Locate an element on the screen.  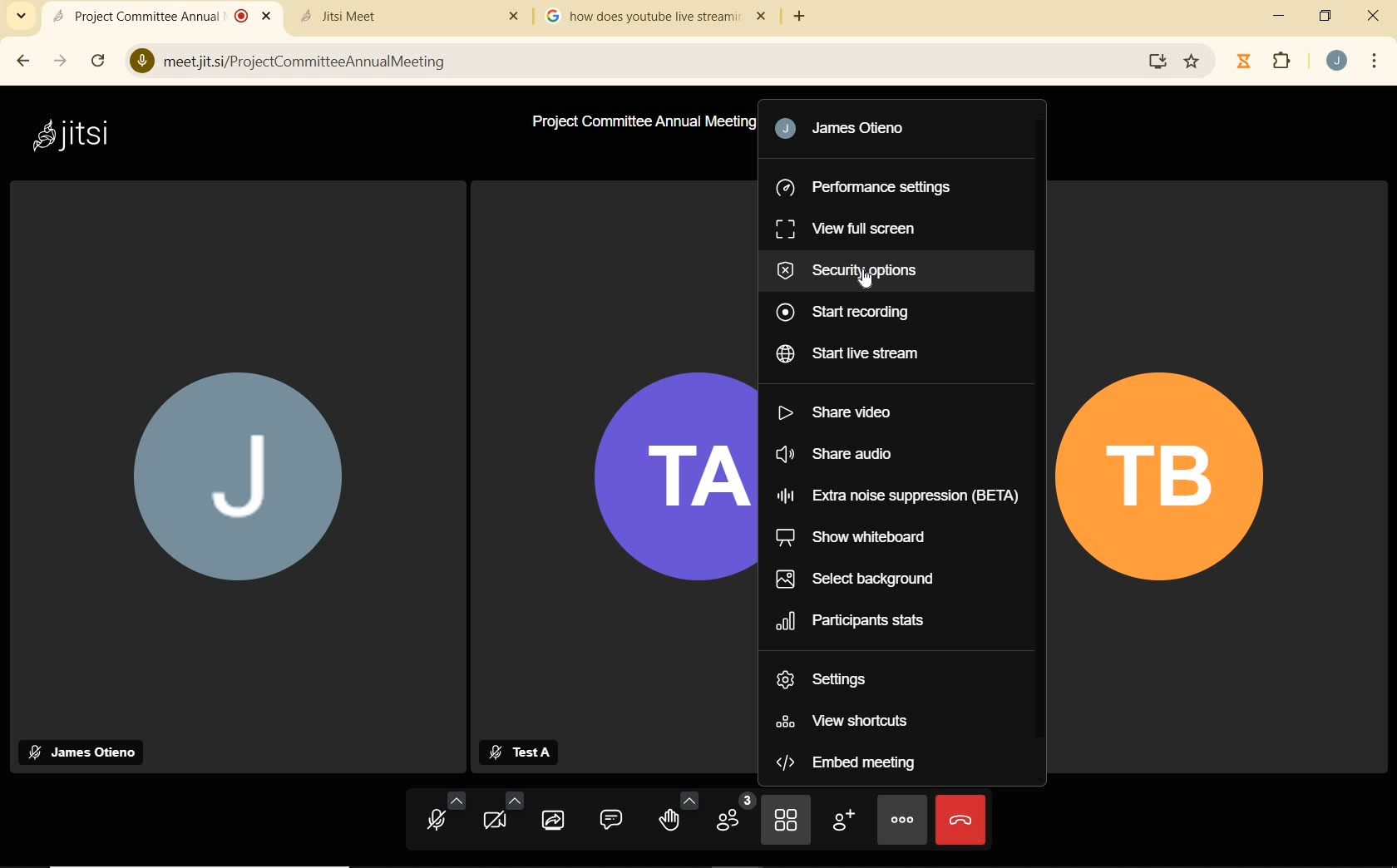
FORWARD is located at coordinates (57, 62).